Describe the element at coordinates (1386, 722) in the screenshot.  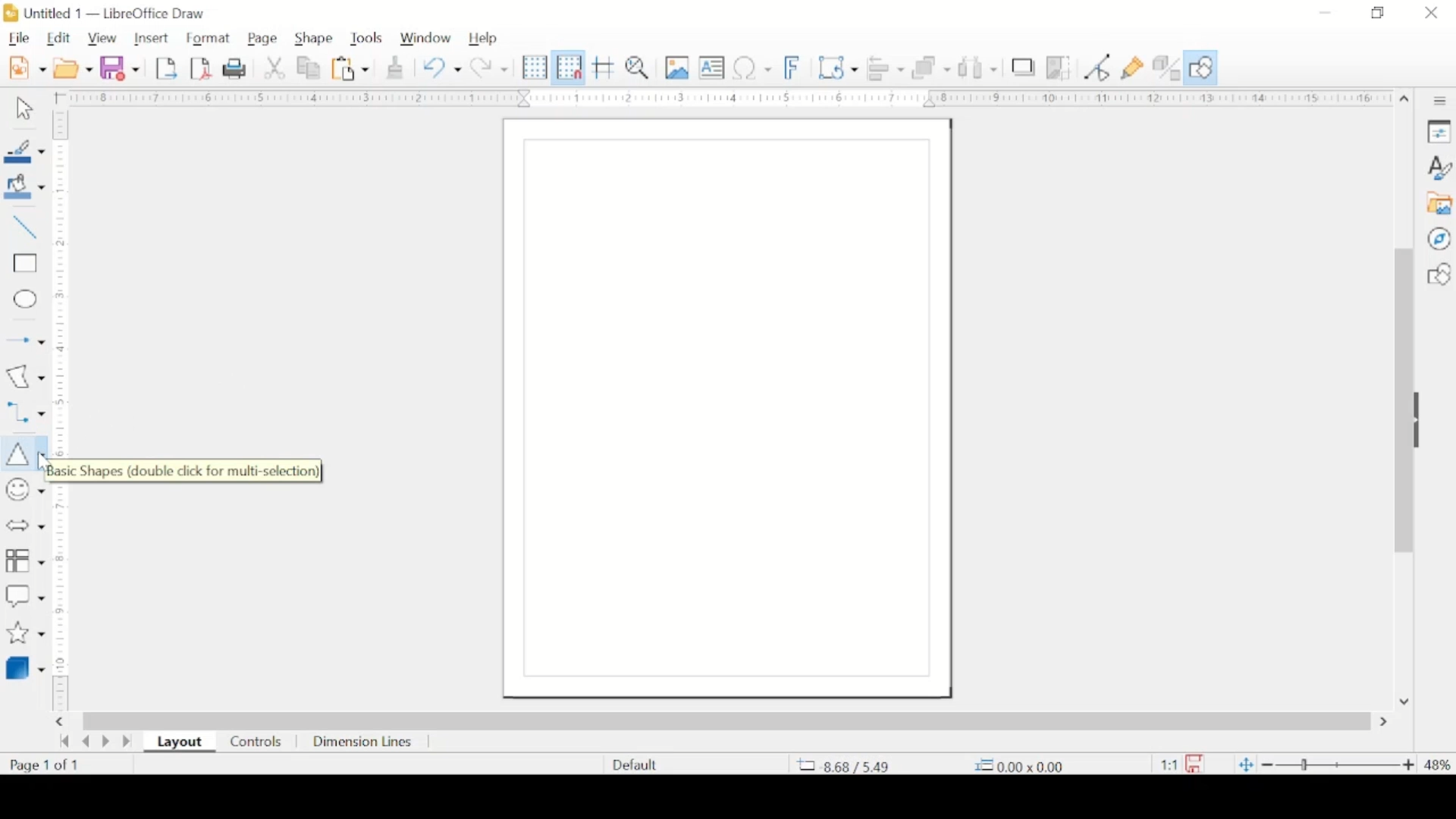
I see `scroll right arrow` at that location.